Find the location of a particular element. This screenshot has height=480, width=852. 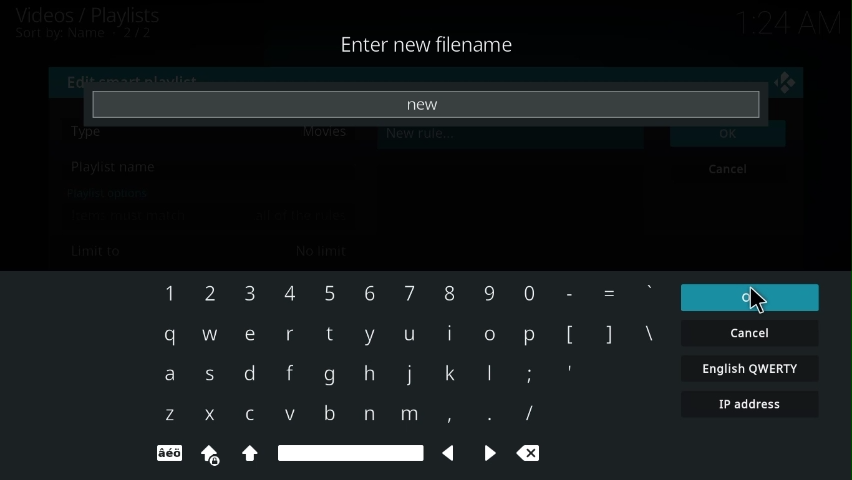

space is located at coordinates (349, 453).